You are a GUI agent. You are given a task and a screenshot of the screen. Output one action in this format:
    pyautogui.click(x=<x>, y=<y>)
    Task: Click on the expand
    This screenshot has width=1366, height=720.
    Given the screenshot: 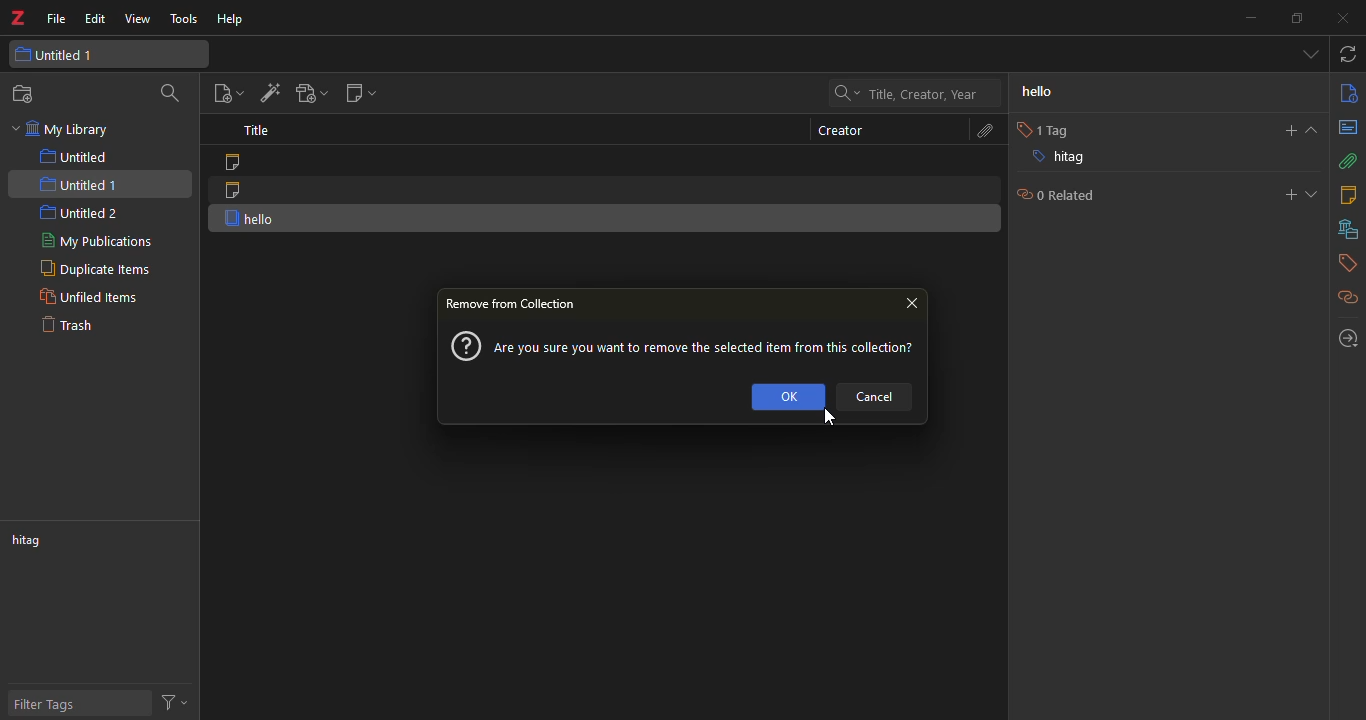 What is the action you would take?
    pyautogui.click(x=1313, y=130)
    